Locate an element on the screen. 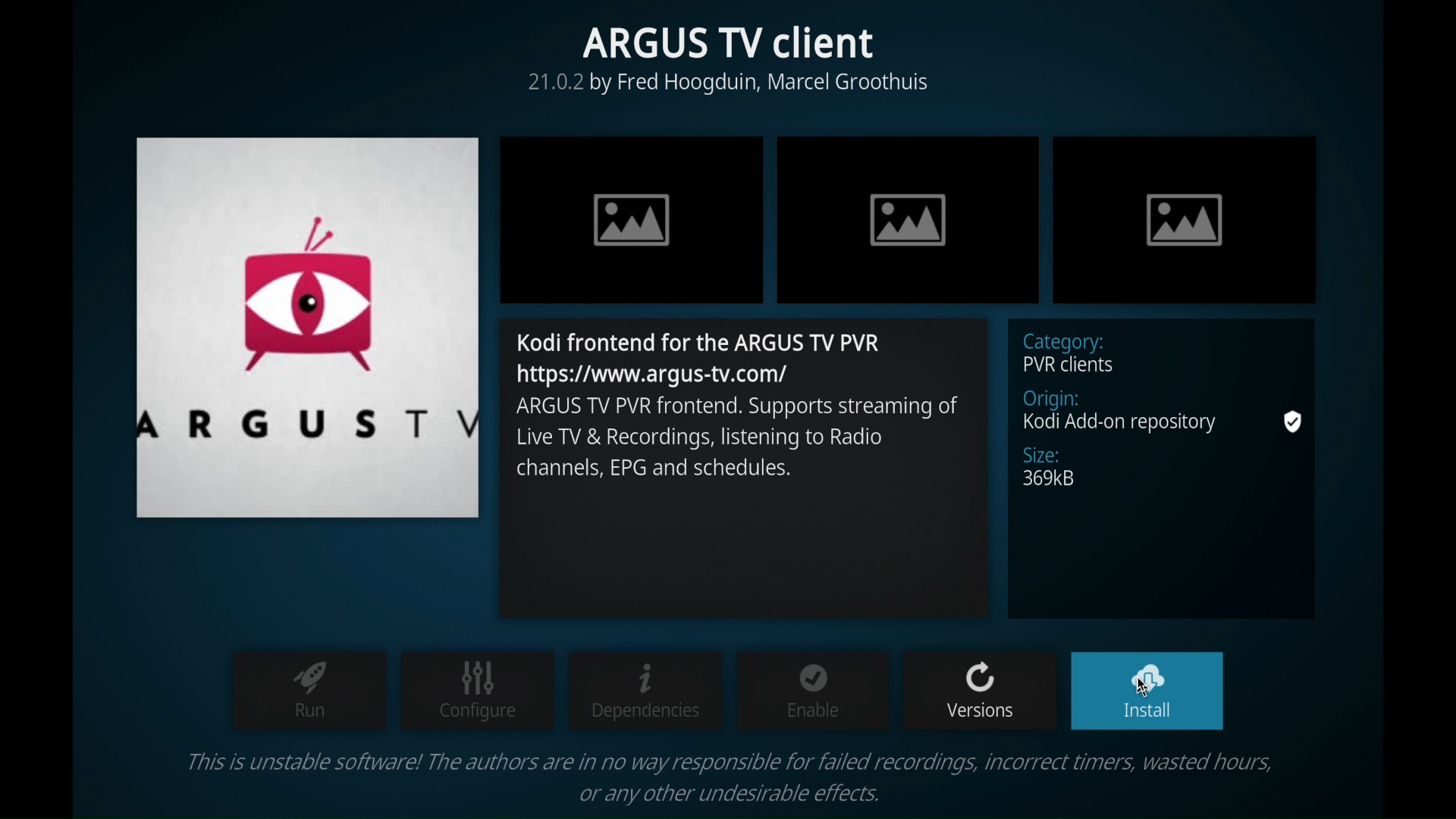  Dependencies is located at coordinates (646, 690).